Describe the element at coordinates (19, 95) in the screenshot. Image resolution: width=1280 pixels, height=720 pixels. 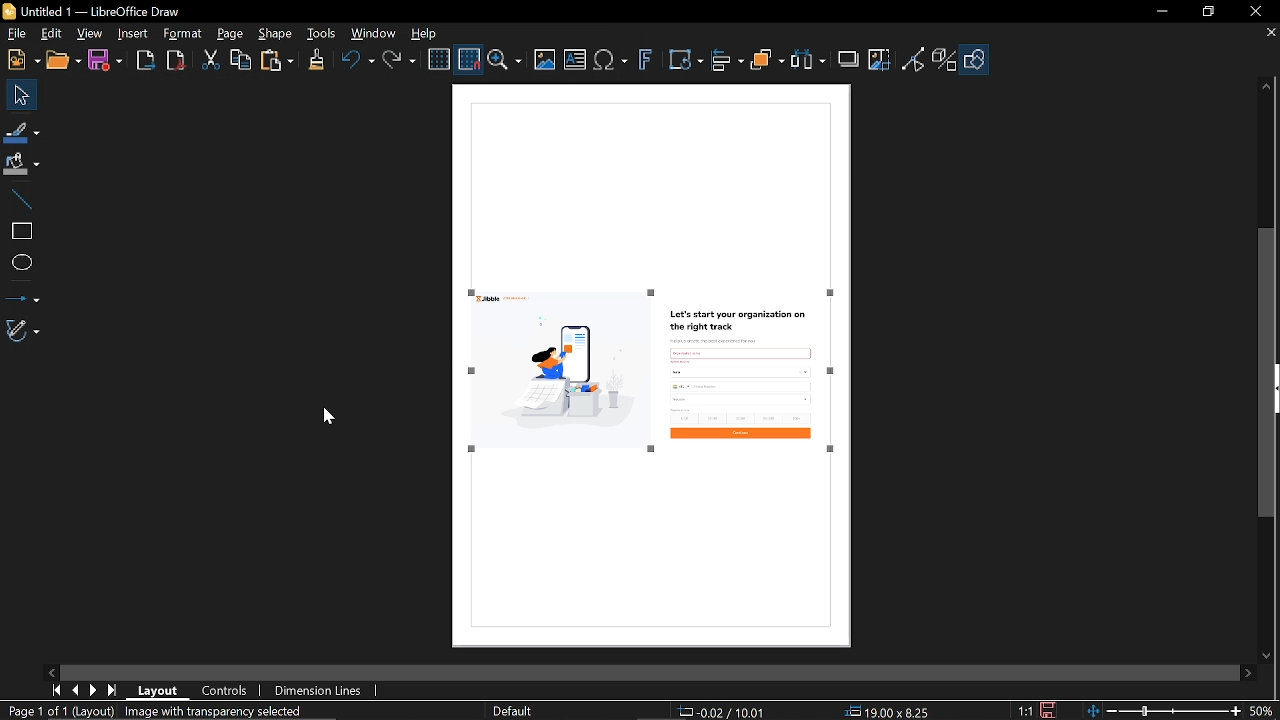
I see `Select` at that location.